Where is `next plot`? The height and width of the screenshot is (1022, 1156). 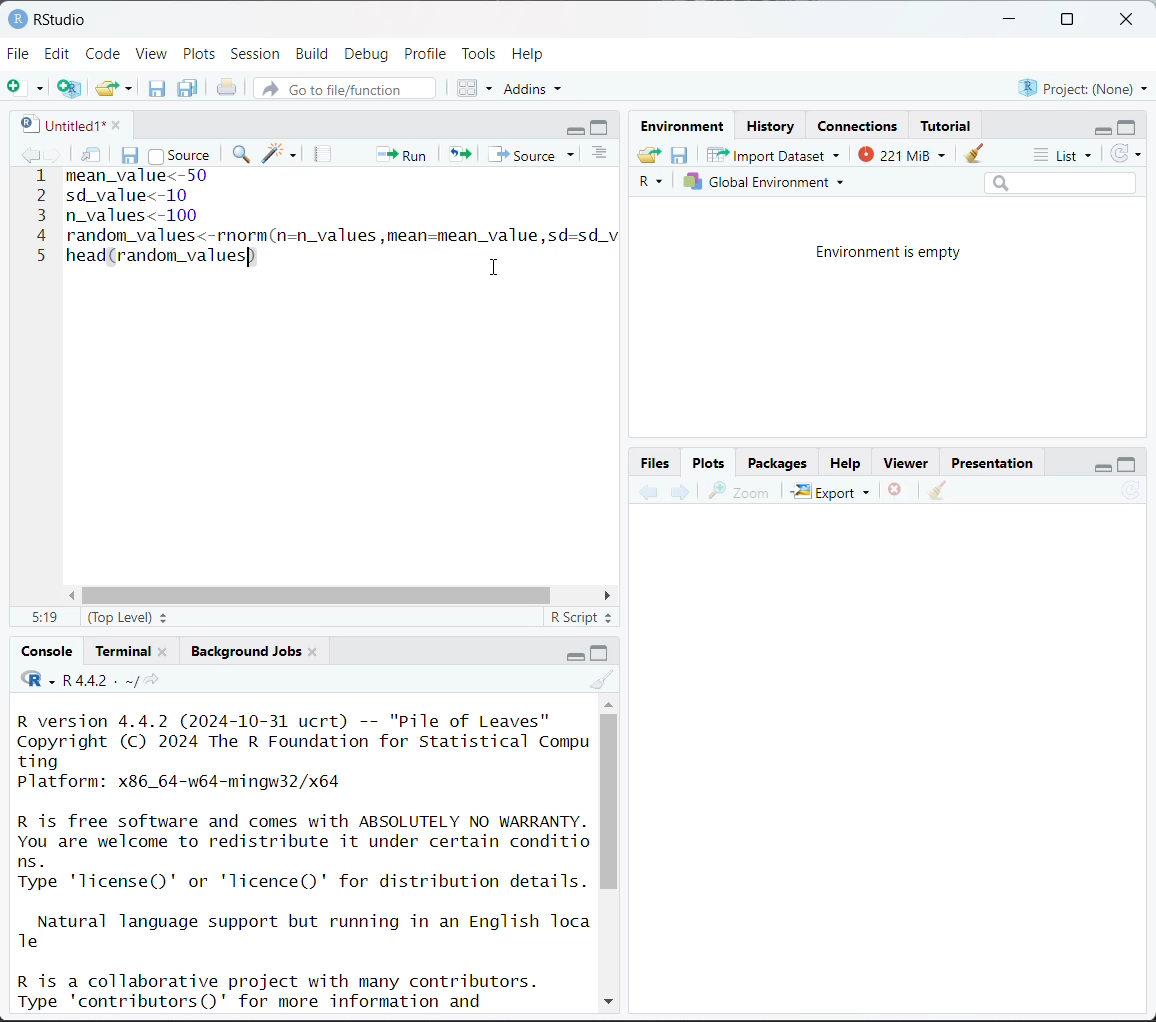 next plot is located at coordinates (678, 492).